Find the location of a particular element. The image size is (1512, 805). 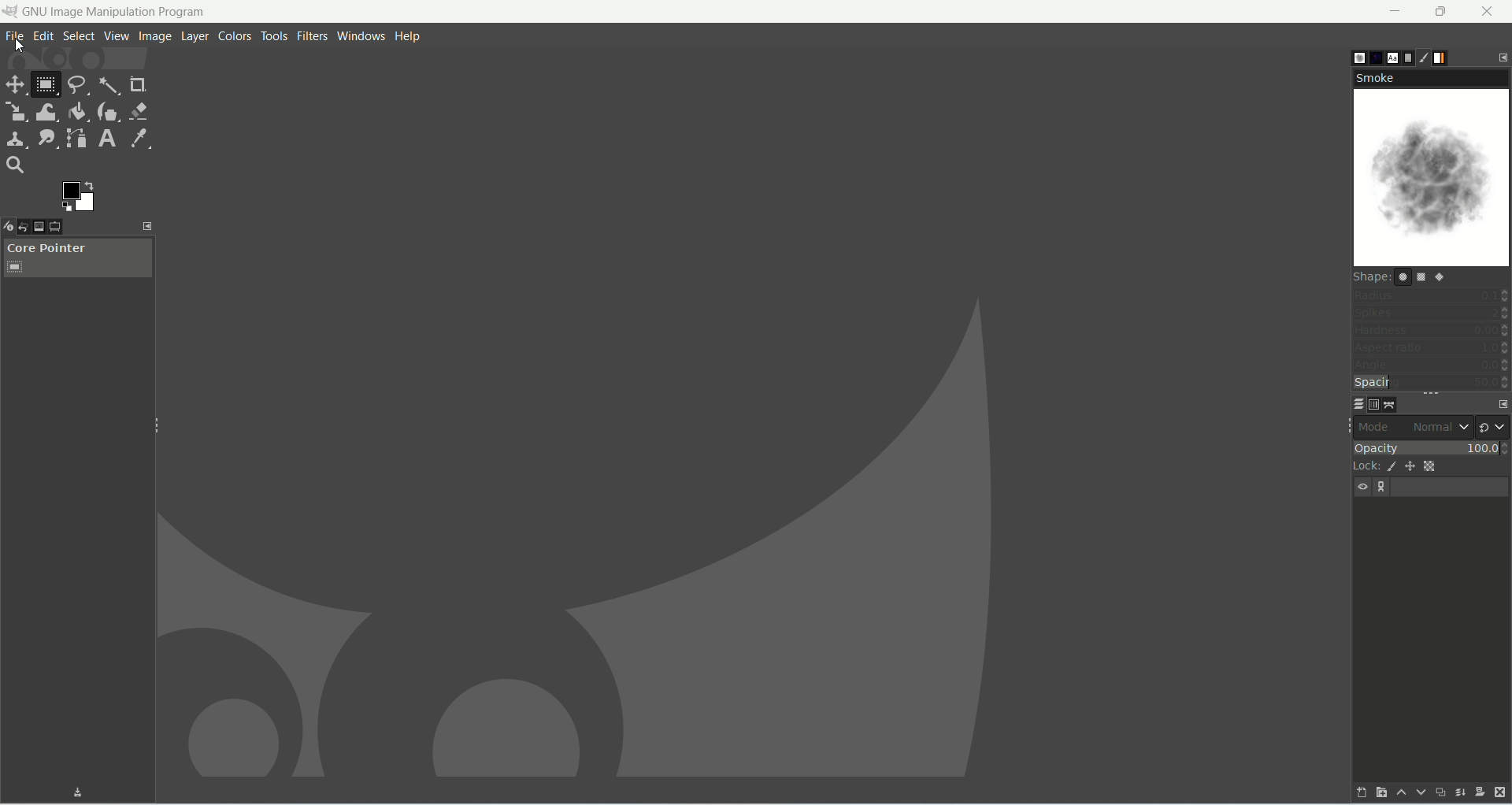

create a new layer and add it to image is located at coordinates (1361, 794).